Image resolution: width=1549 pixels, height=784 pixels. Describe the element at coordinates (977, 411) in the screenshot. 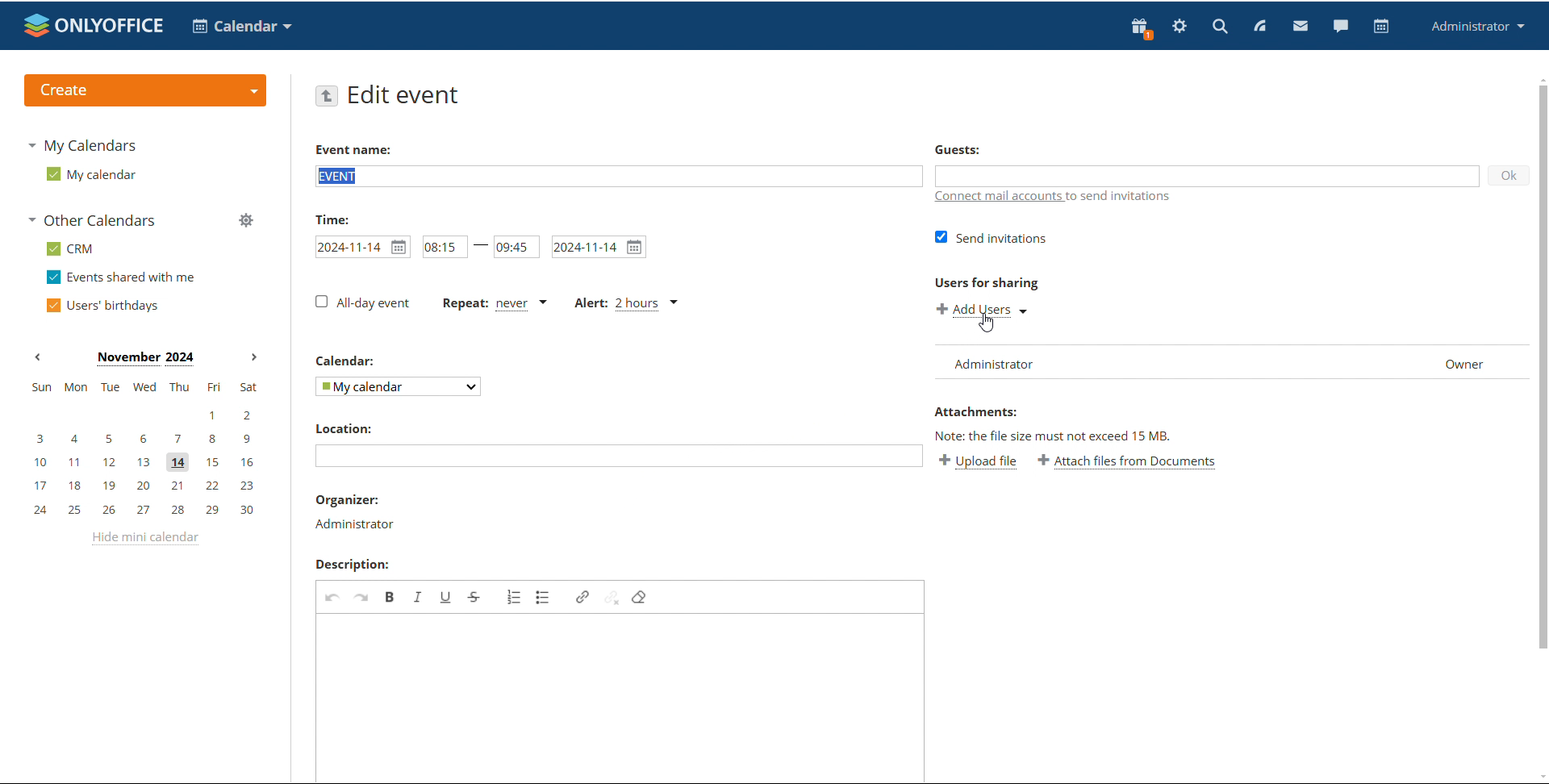

I see `Attachments` at that location.